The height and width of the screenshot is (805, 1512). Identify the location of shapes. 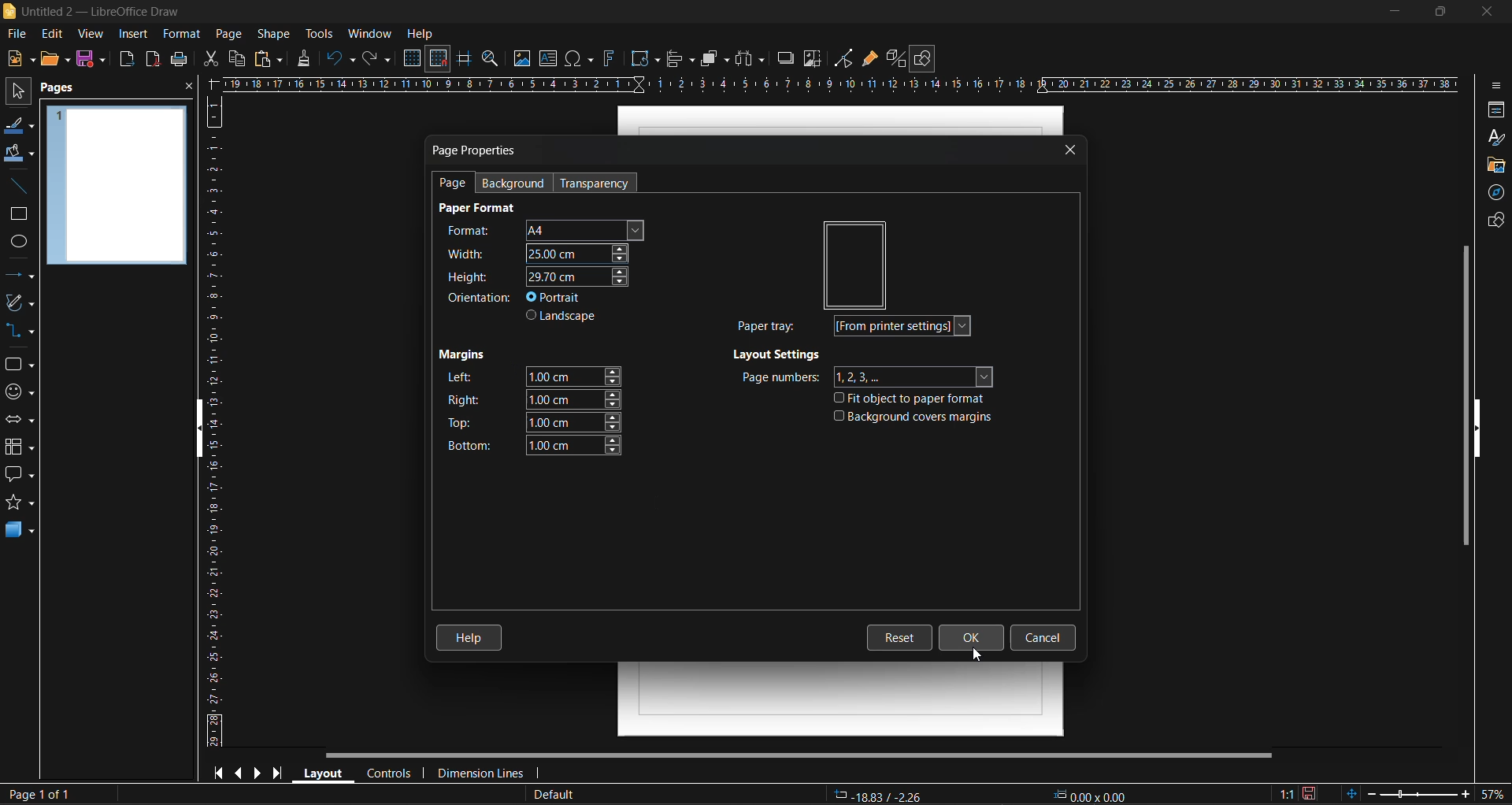
(1494, 222).